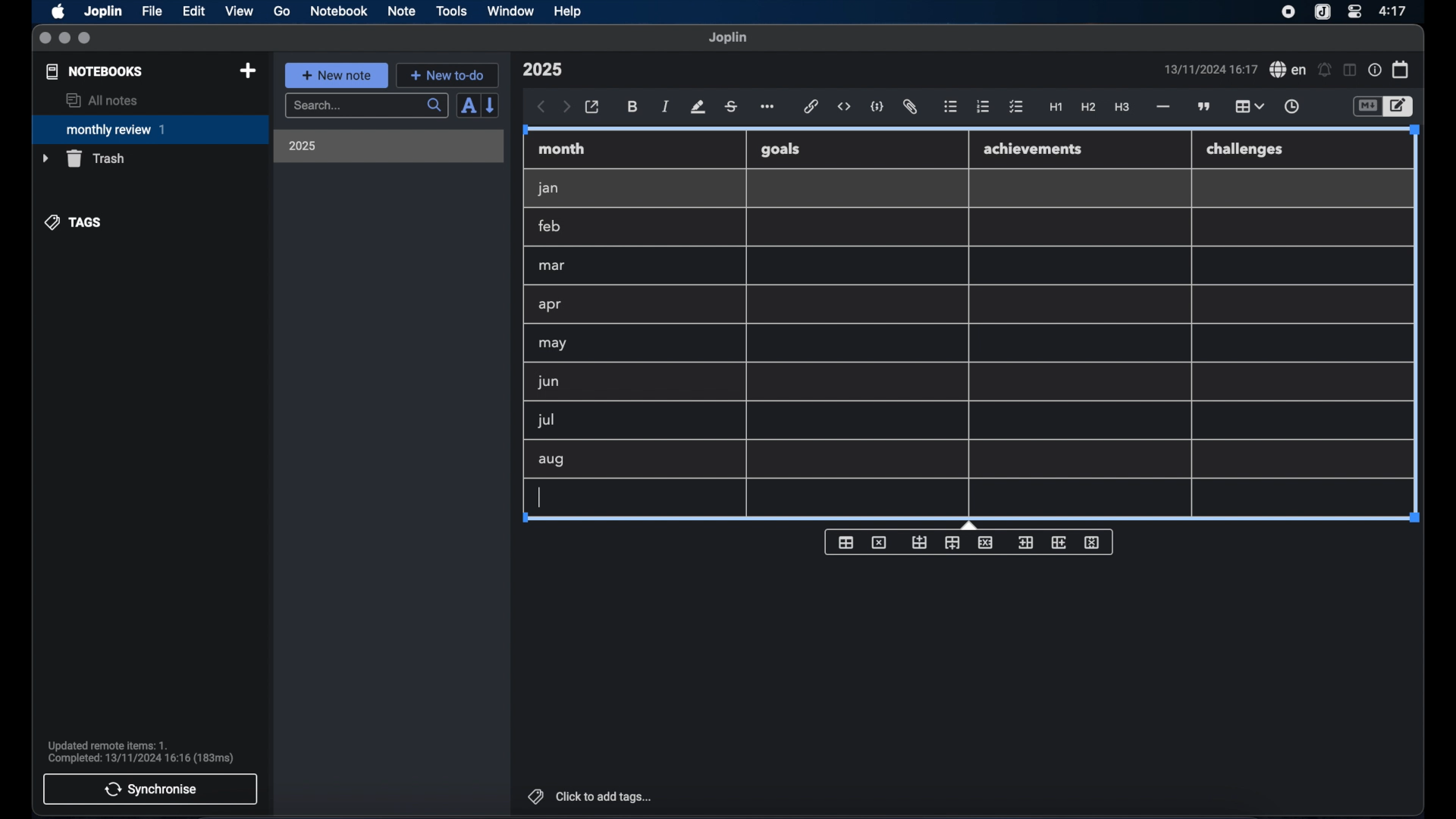 Image resolution: width=1456 pixels, height=819 pixels. Describe the element at coordinates (86, 39) in the screenshot. I see `maximize` at that location.